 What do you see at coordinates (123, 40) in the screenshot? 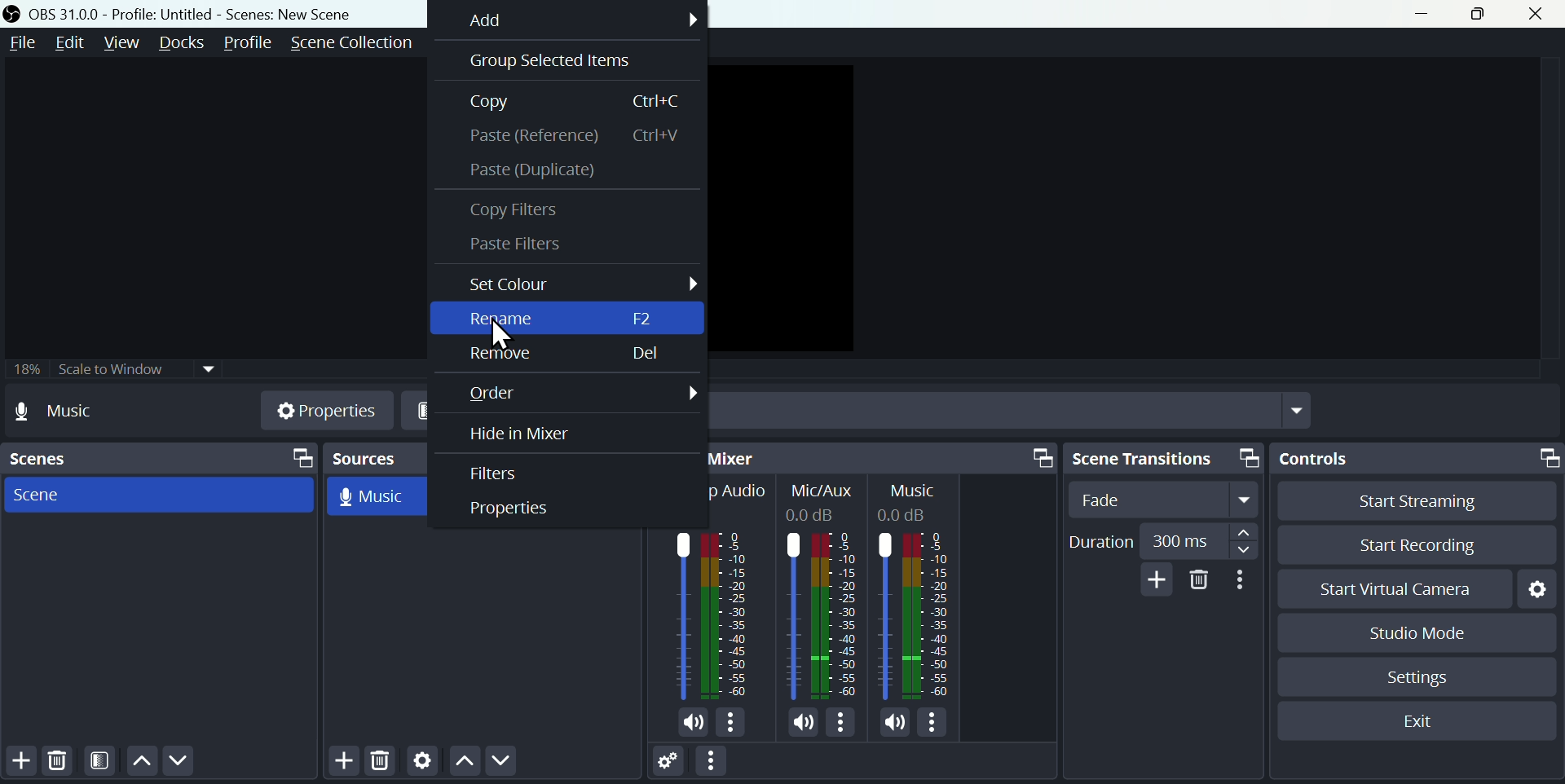
I see `View` at bounding box center [123, 40].